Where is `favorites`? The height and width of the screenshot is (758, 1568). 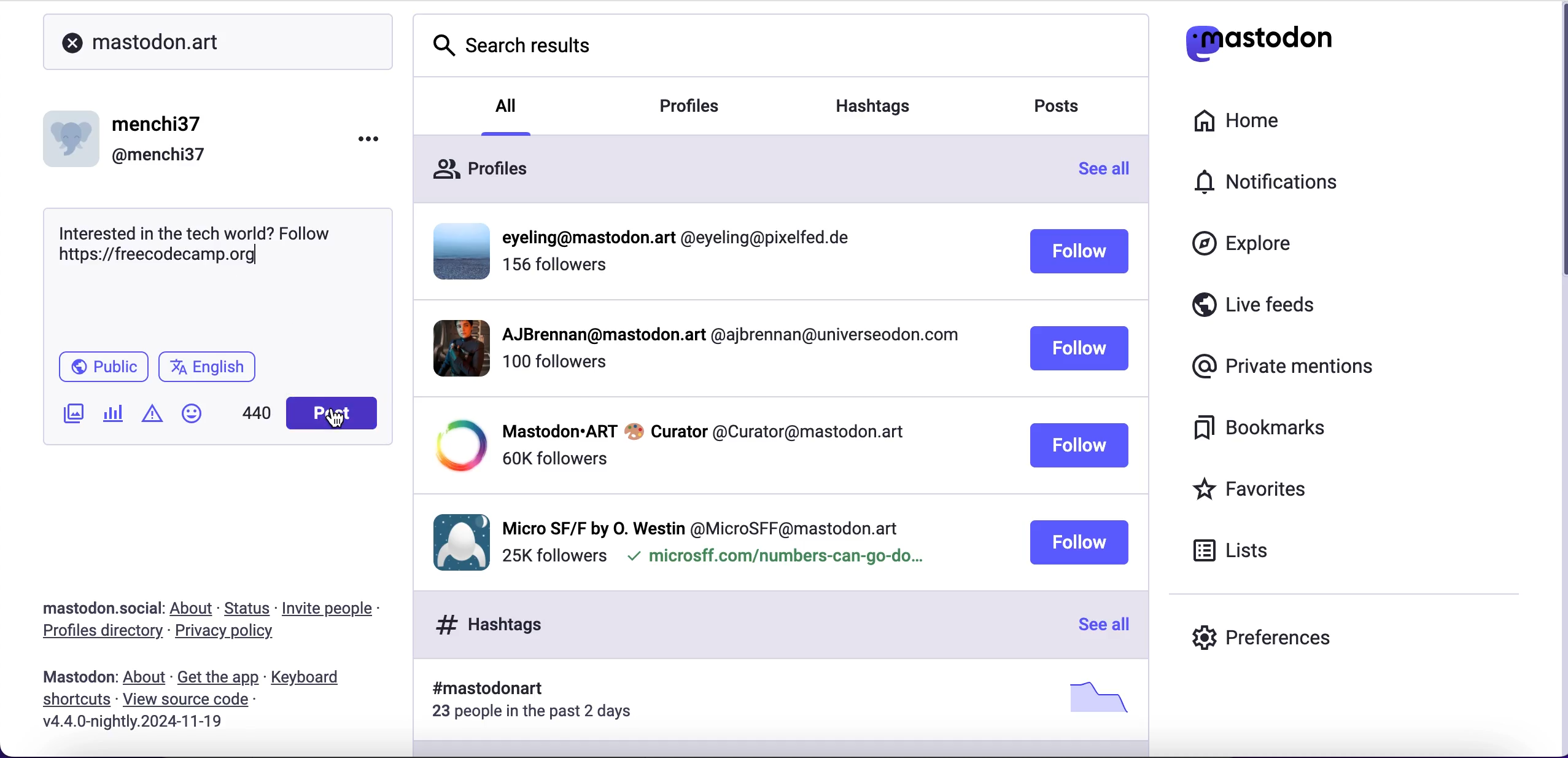 favorites is located at coordinates (1255, 493).